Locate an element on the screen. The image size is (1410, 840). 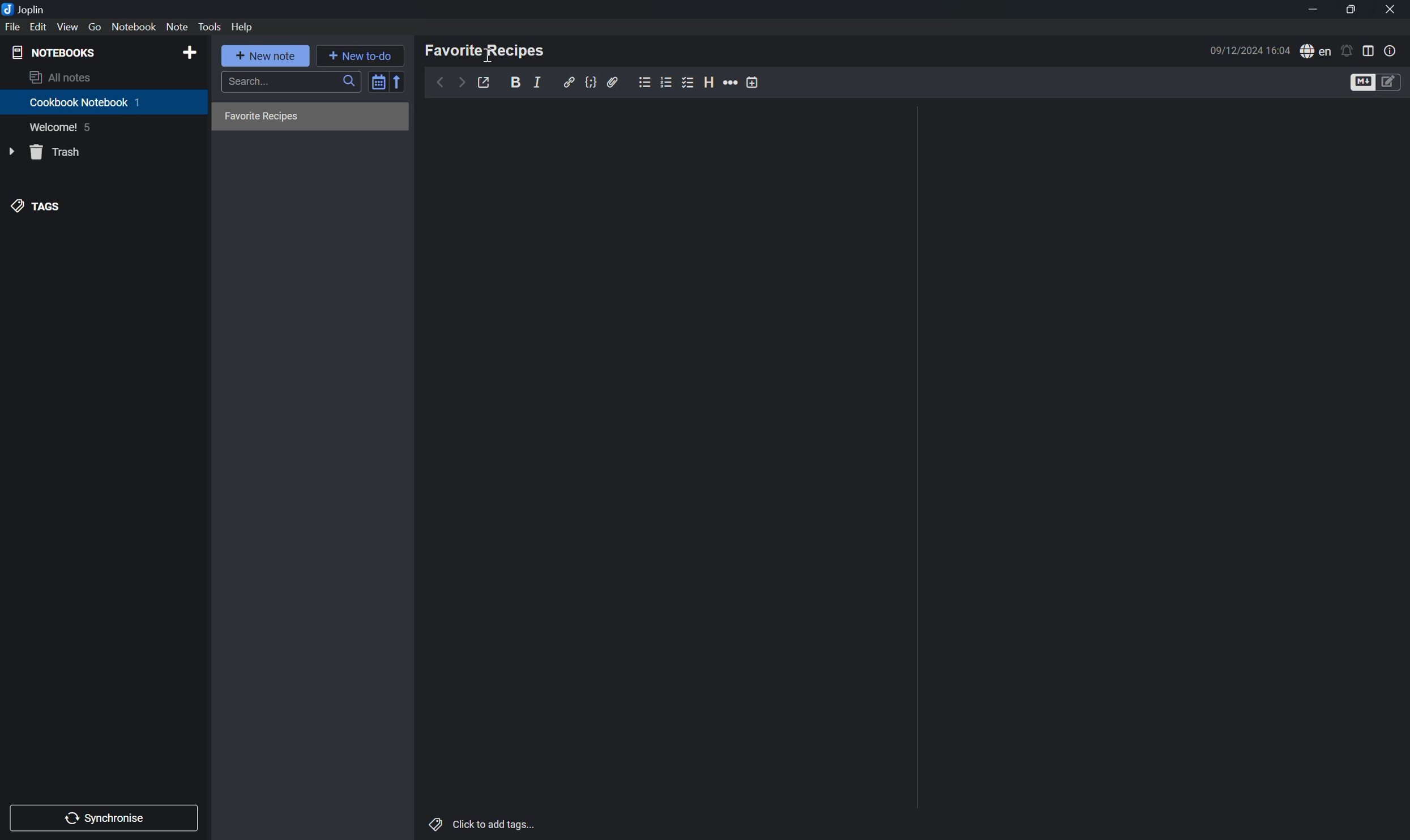
Toggle editors is located at coordinates (1377, 82).